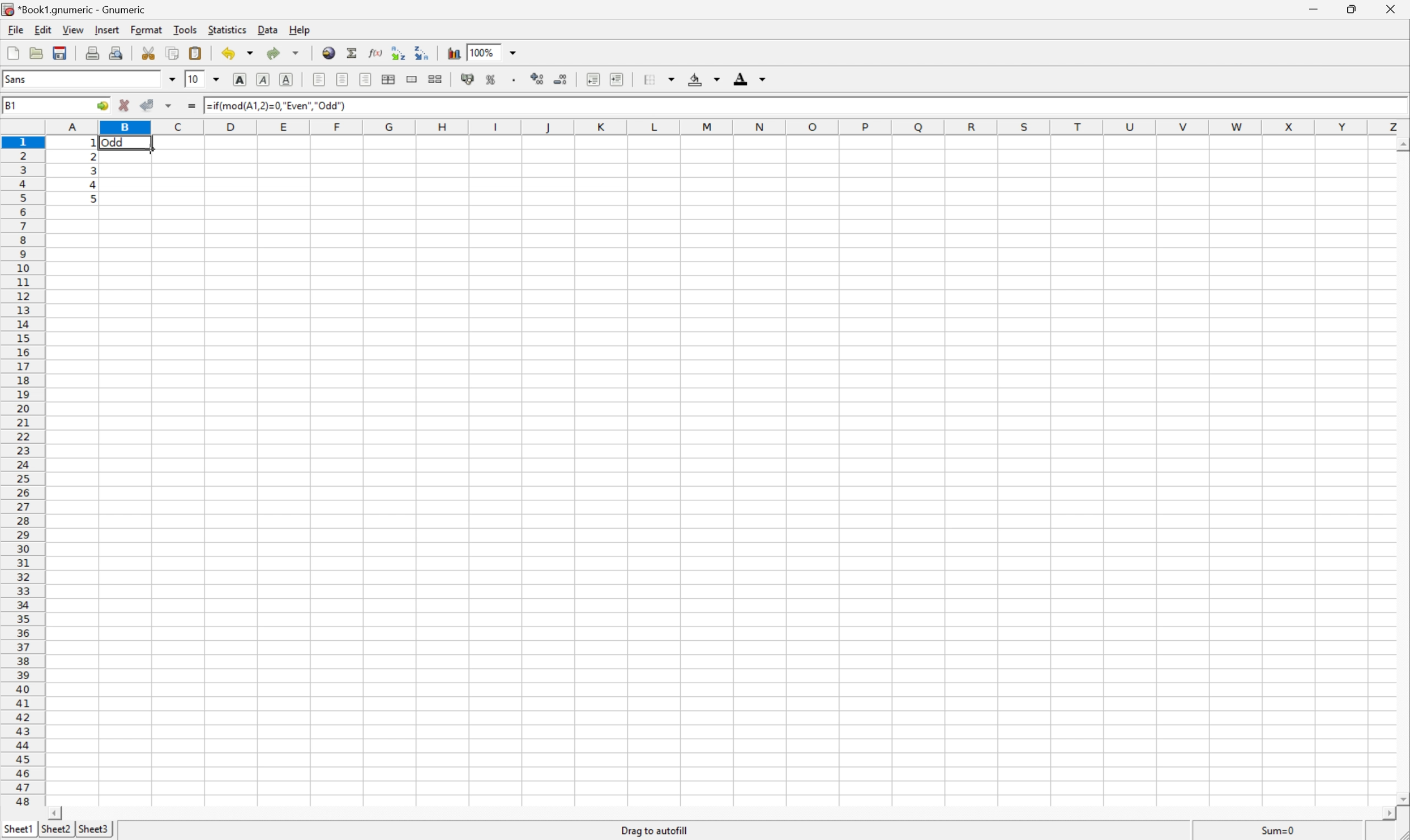 This screenshot has height=840, width=1410. What do you see at coordinates (239, 78) in the screenshot?
I see `Bold` at bounding box center [239, 78].